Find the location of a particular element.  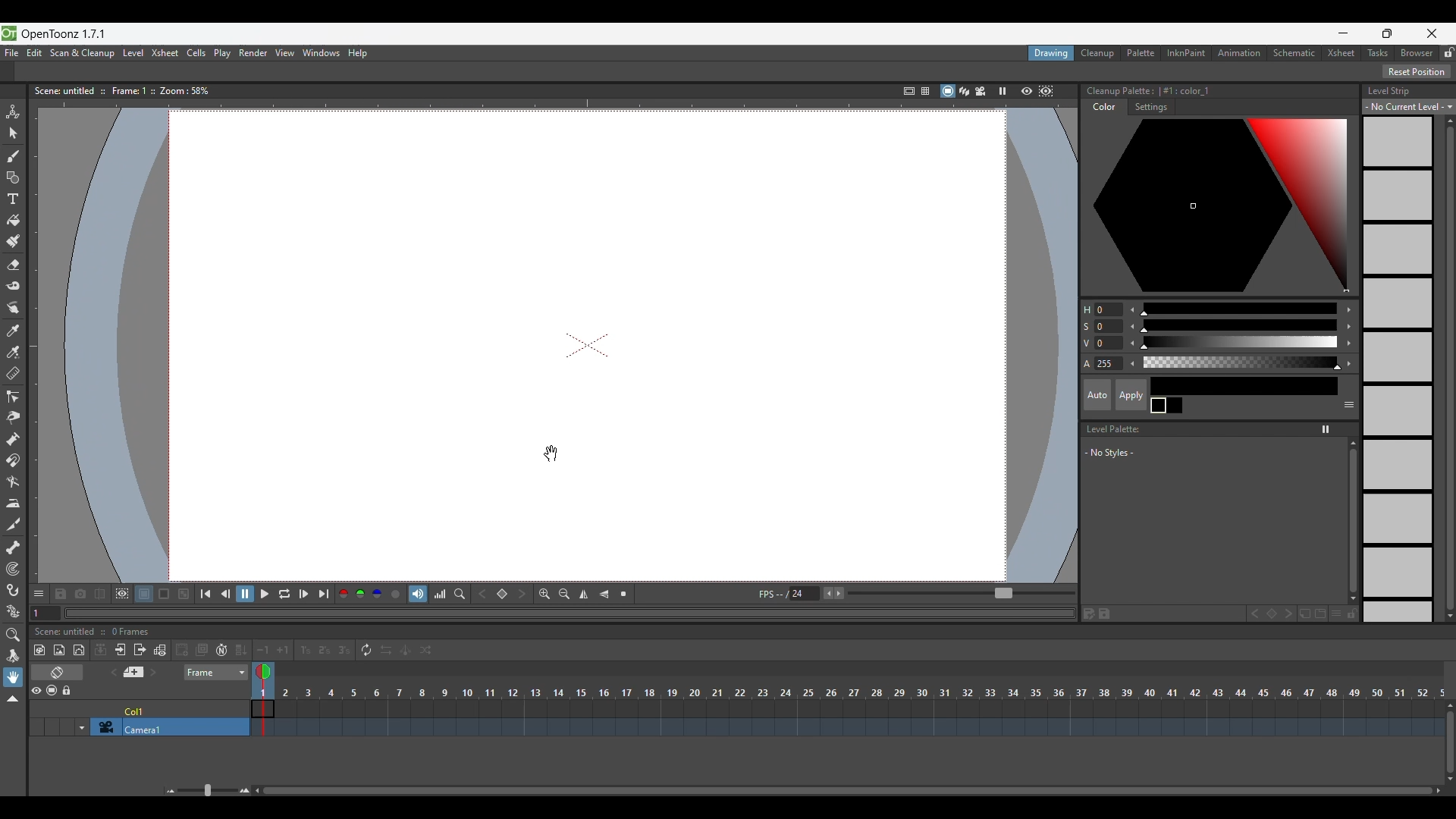

Show/Hide each icon in the toolbar is located at coordinates (39, 594).